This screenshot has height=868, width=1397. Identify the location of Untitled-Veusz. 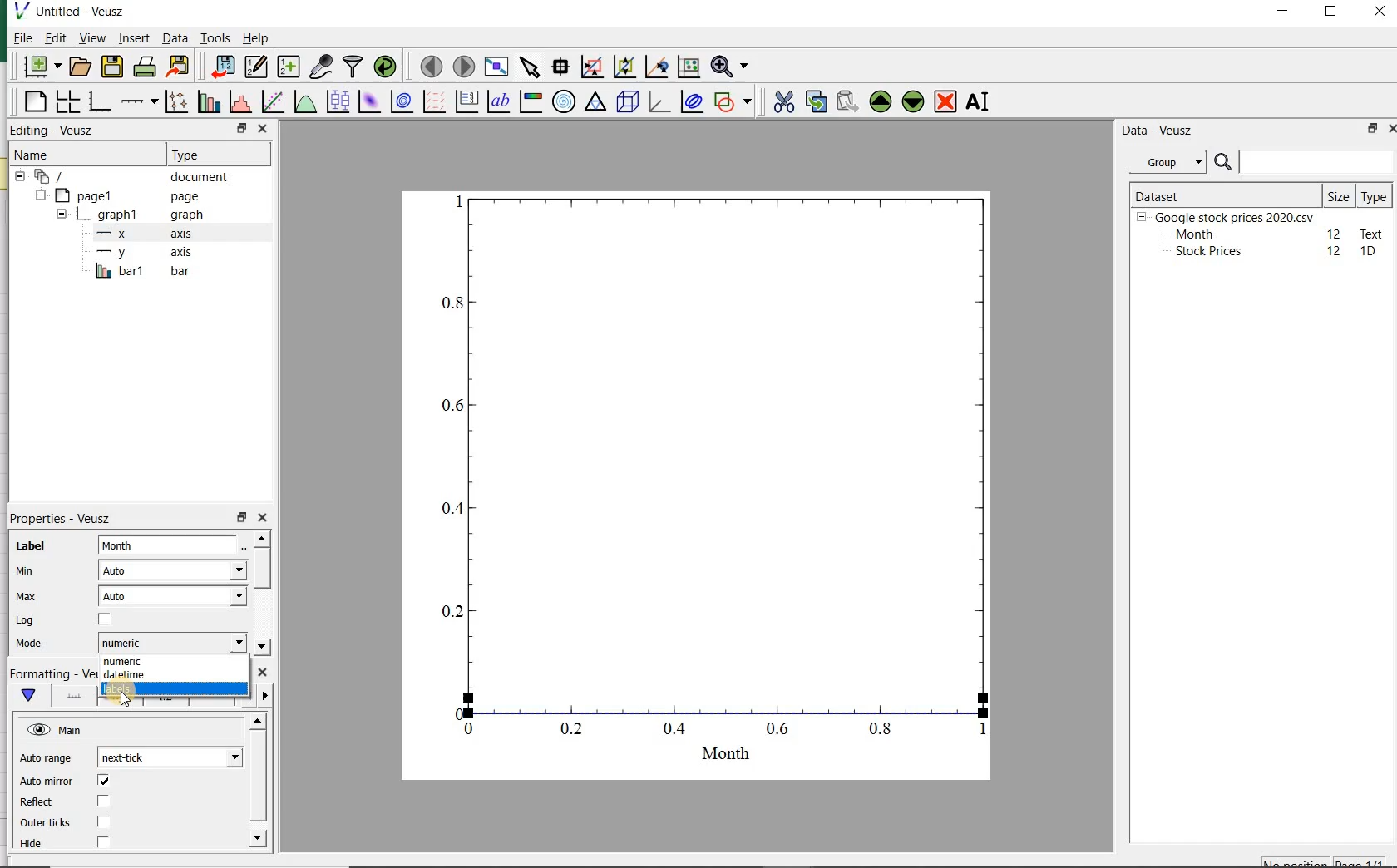
(77, 12).